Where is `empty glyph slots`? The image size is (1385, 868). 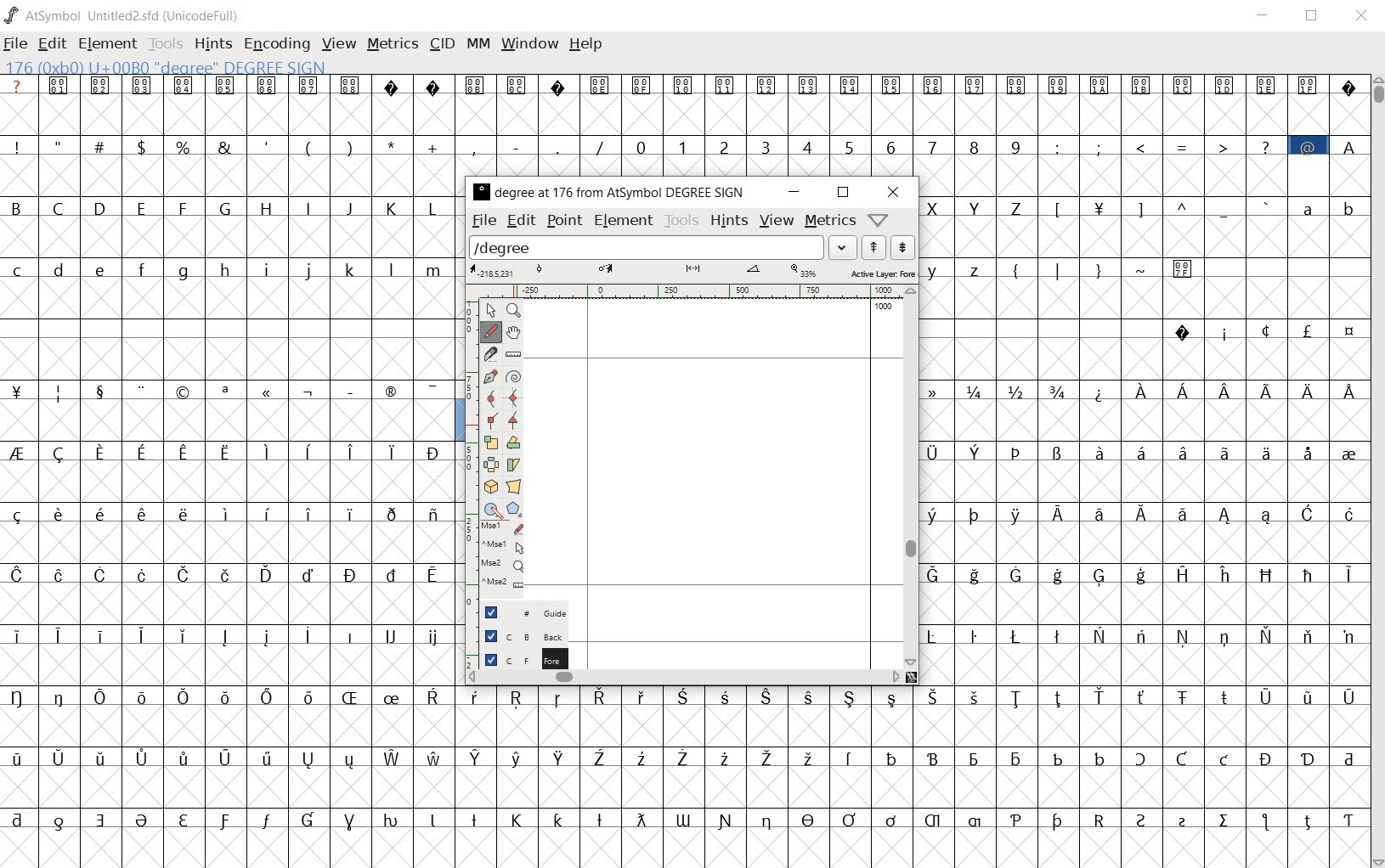
empty glyph slots is located at coordinates (911, 786).